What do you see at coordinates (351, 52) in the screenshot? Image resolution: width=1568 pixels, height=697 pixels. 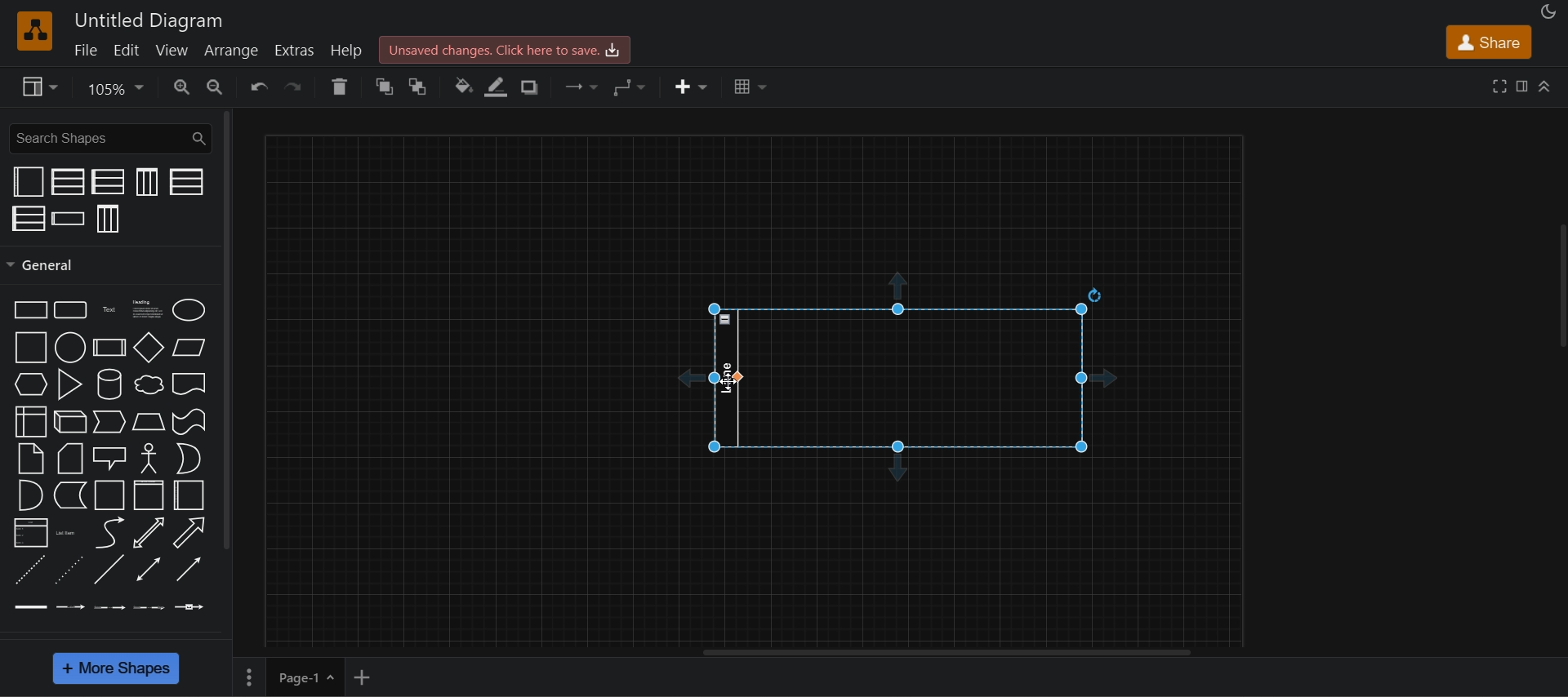 I see `help` at bounding box center [351, 52].